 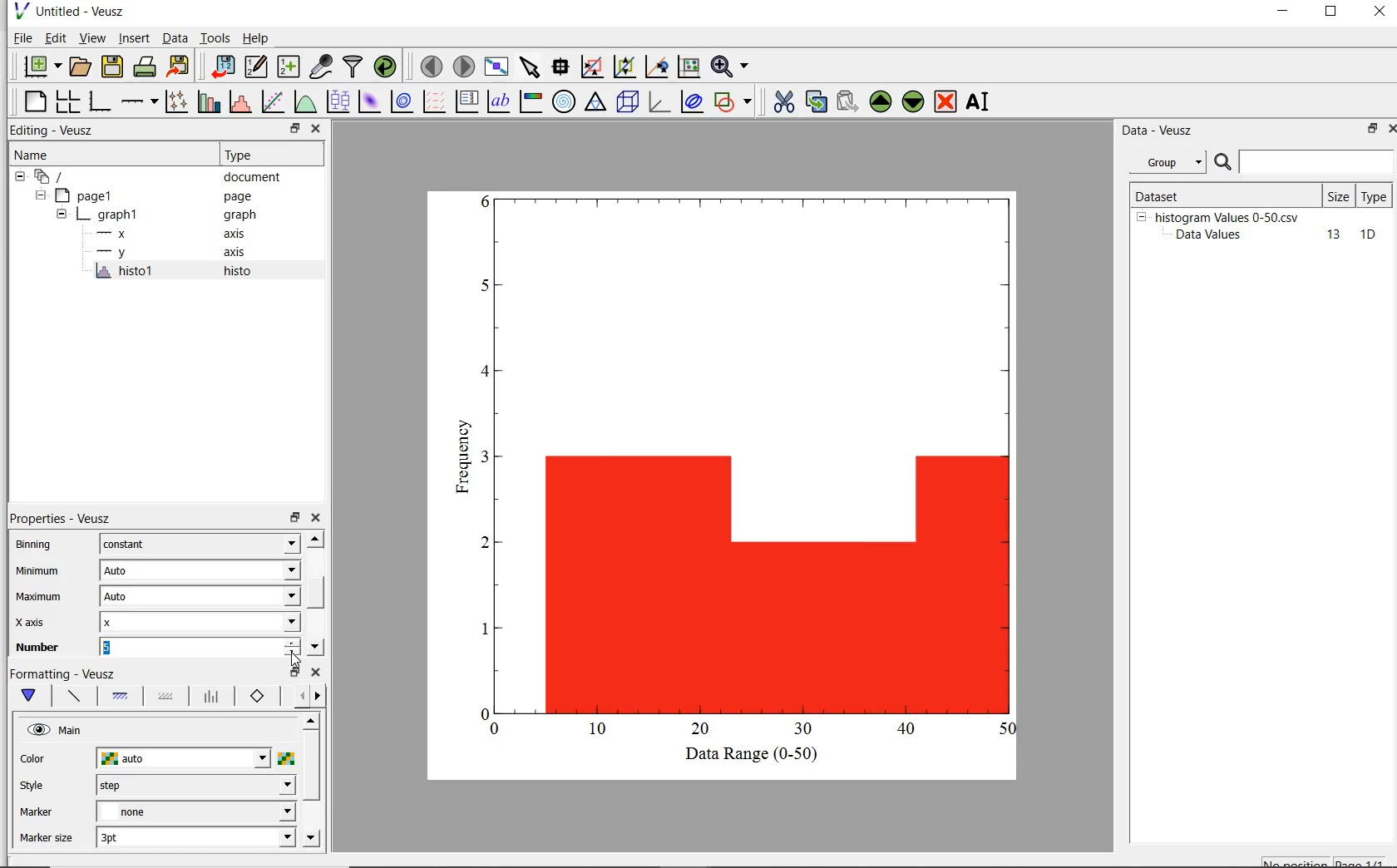 I want to click on | none vw, so click(x=195, y=811).